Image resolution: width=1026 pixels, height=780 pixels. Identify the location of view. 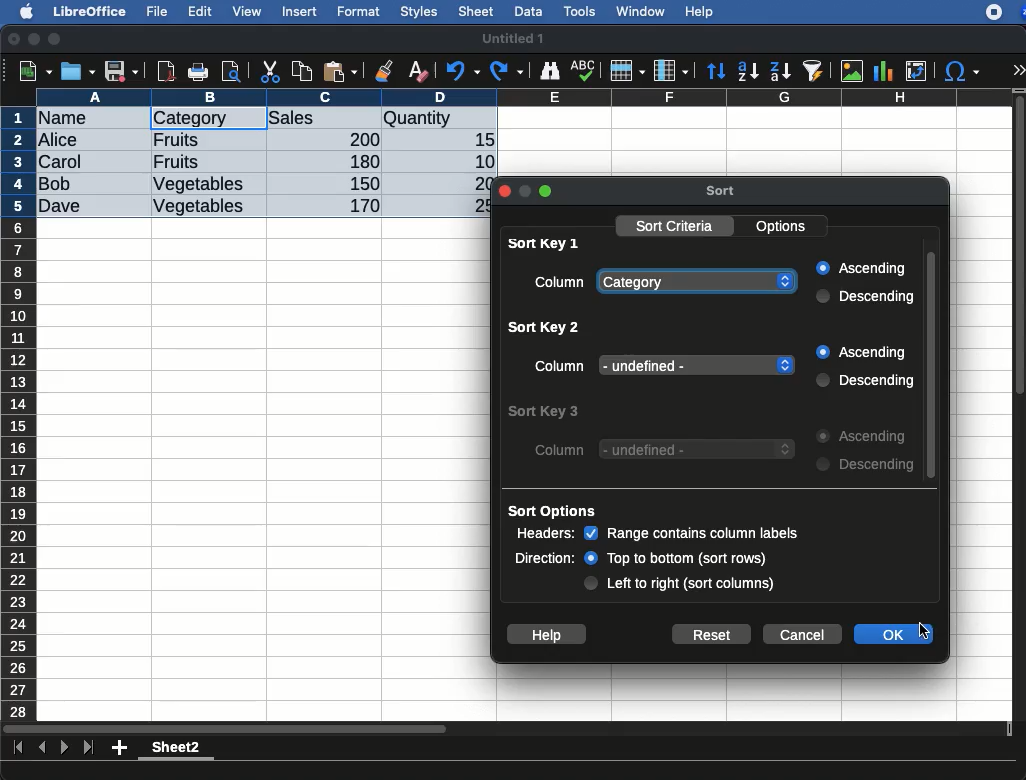
(247, 11).